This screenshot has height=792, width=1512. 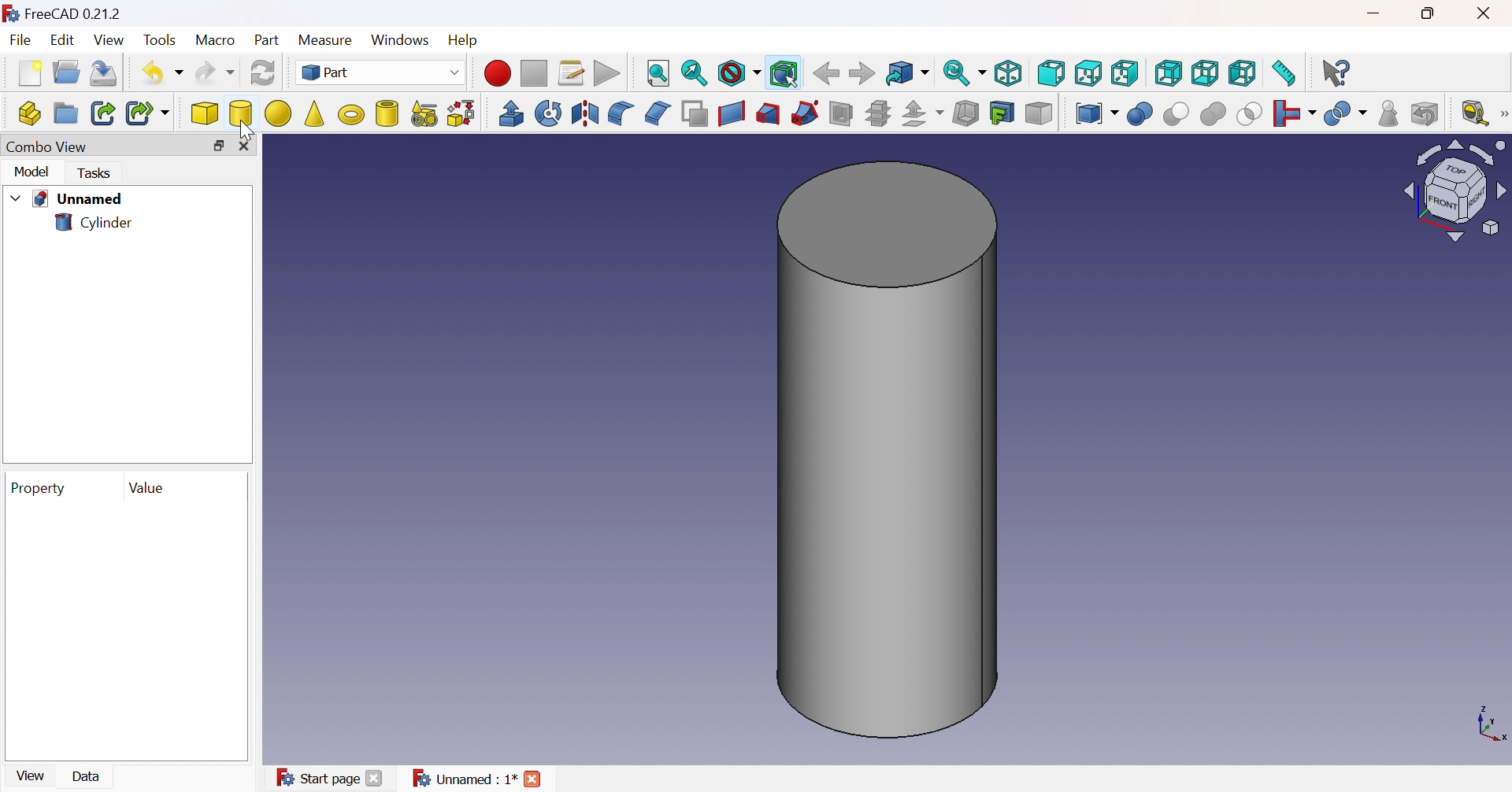 I want to click on [Measure], so click(x=1503, y=114).